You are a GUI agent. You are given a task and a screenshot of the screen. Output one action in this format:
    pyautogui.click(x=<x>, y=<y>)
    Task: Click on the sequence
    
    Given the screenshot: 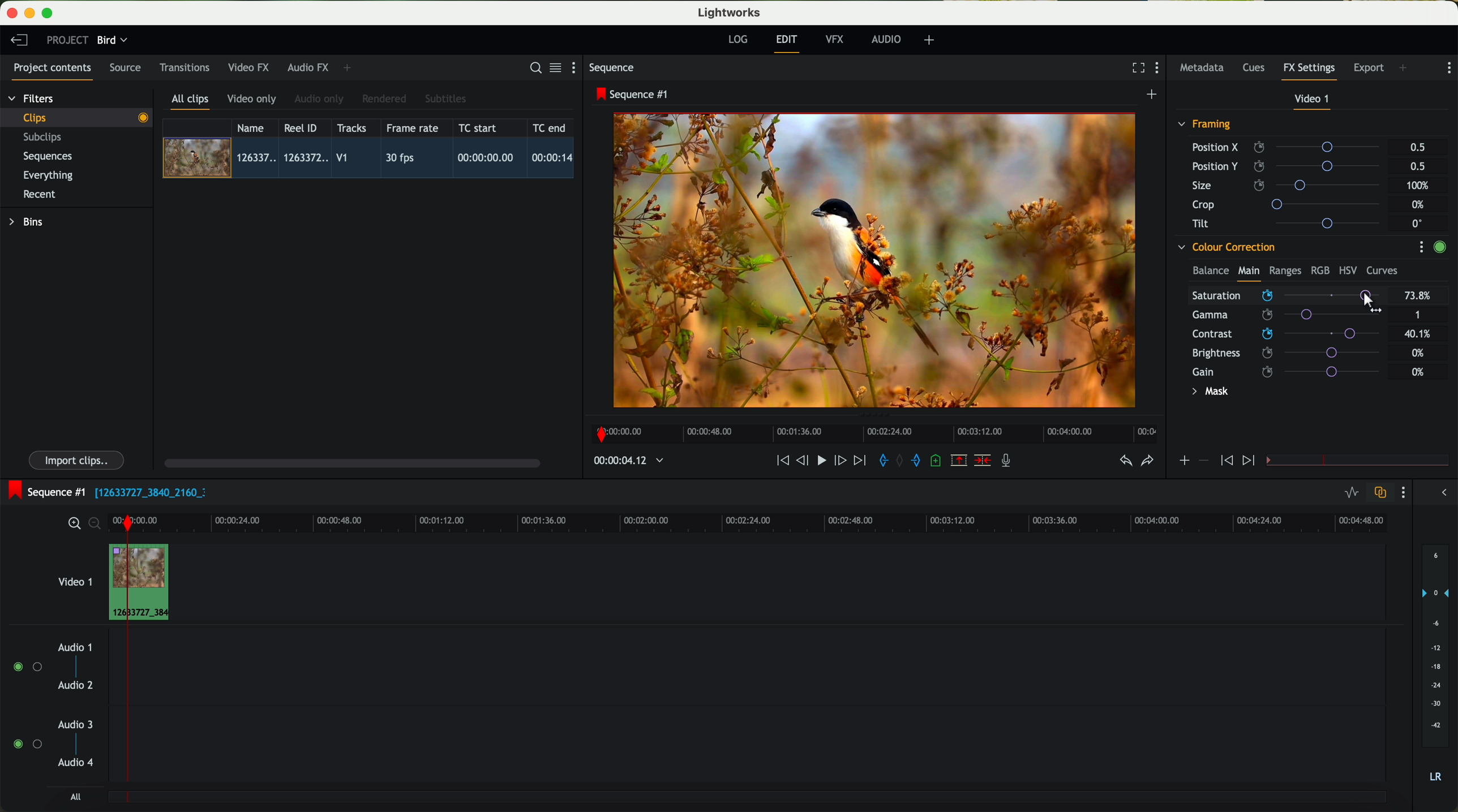 What is the action you would take?
    pyautogui.click(x=612, y=68)
    